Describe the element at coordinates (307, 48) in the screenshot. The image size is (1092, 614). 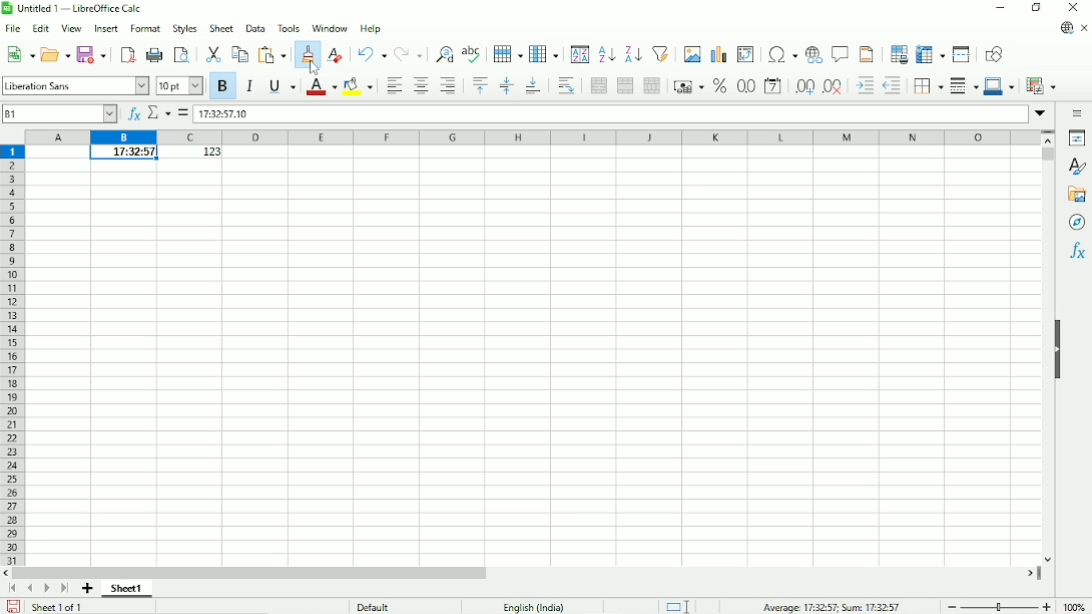
I see `Clone formatting` at that location.